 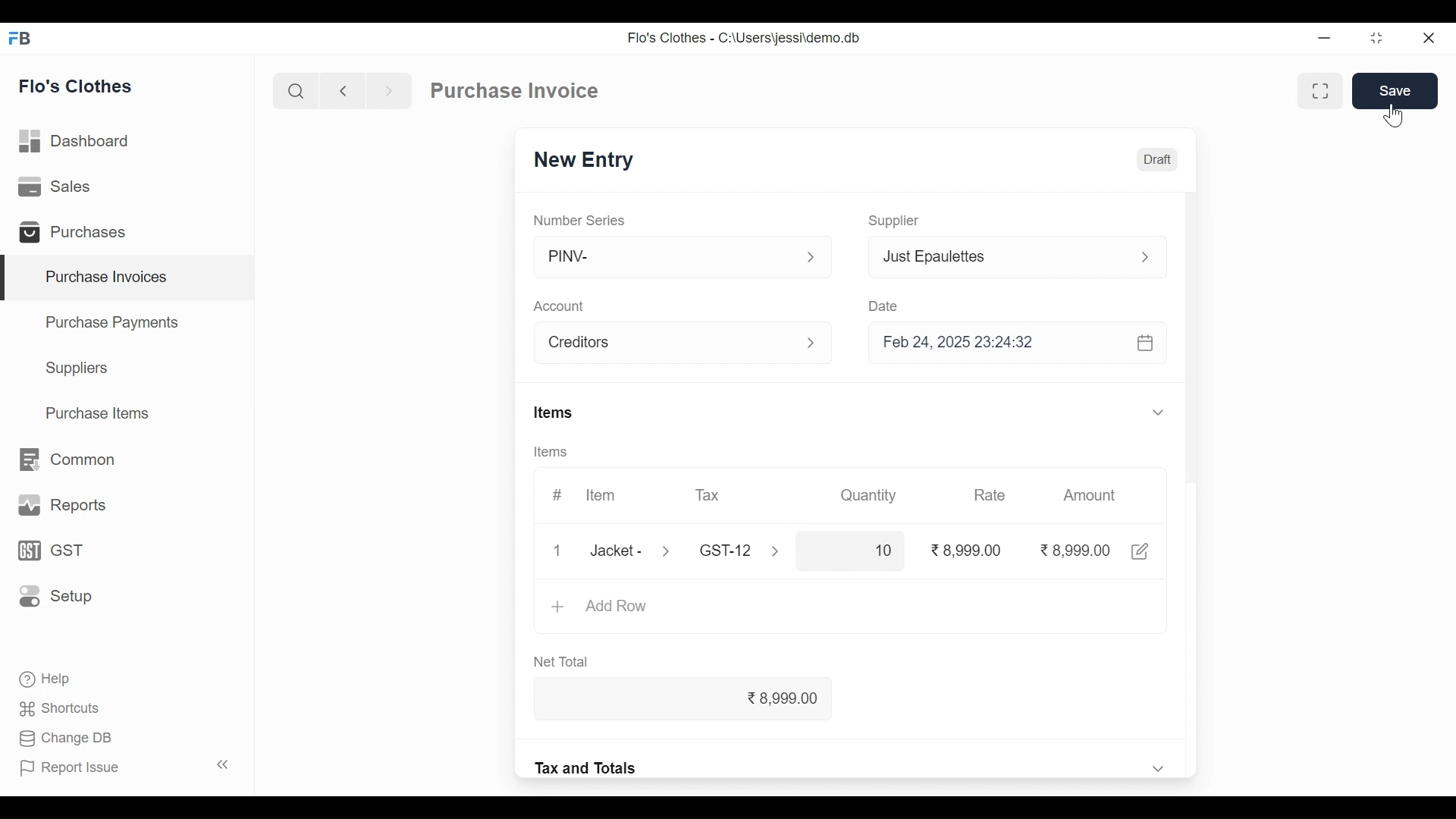 What do you see at coordinates (670, 551) in the screenshot?
I see `Expand` at bounding box center [670, 551].